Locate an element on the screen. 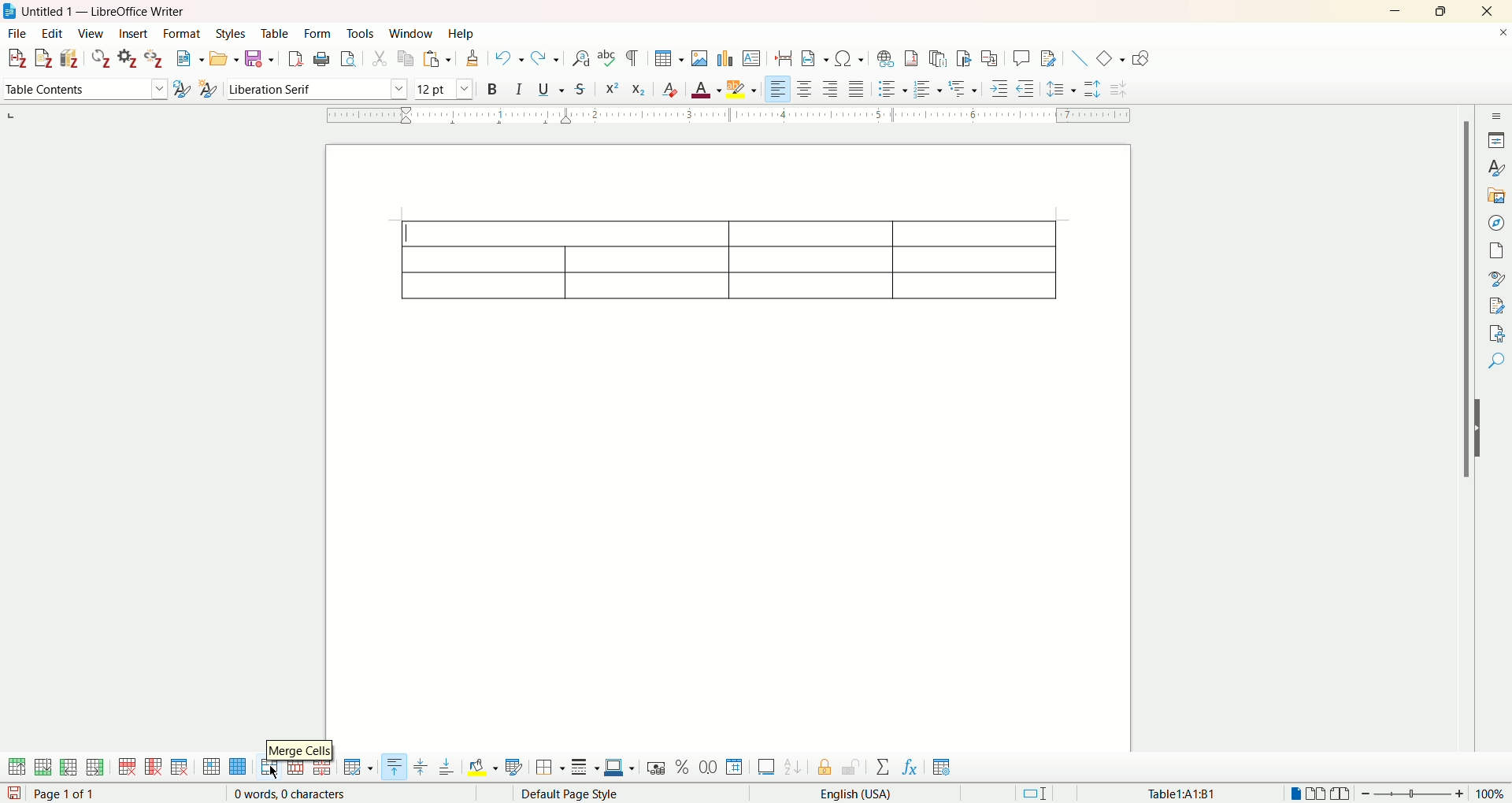 Image resolution: width=1512 pixels, height=803 pixels. table properties is located at coordinates (939, 768).